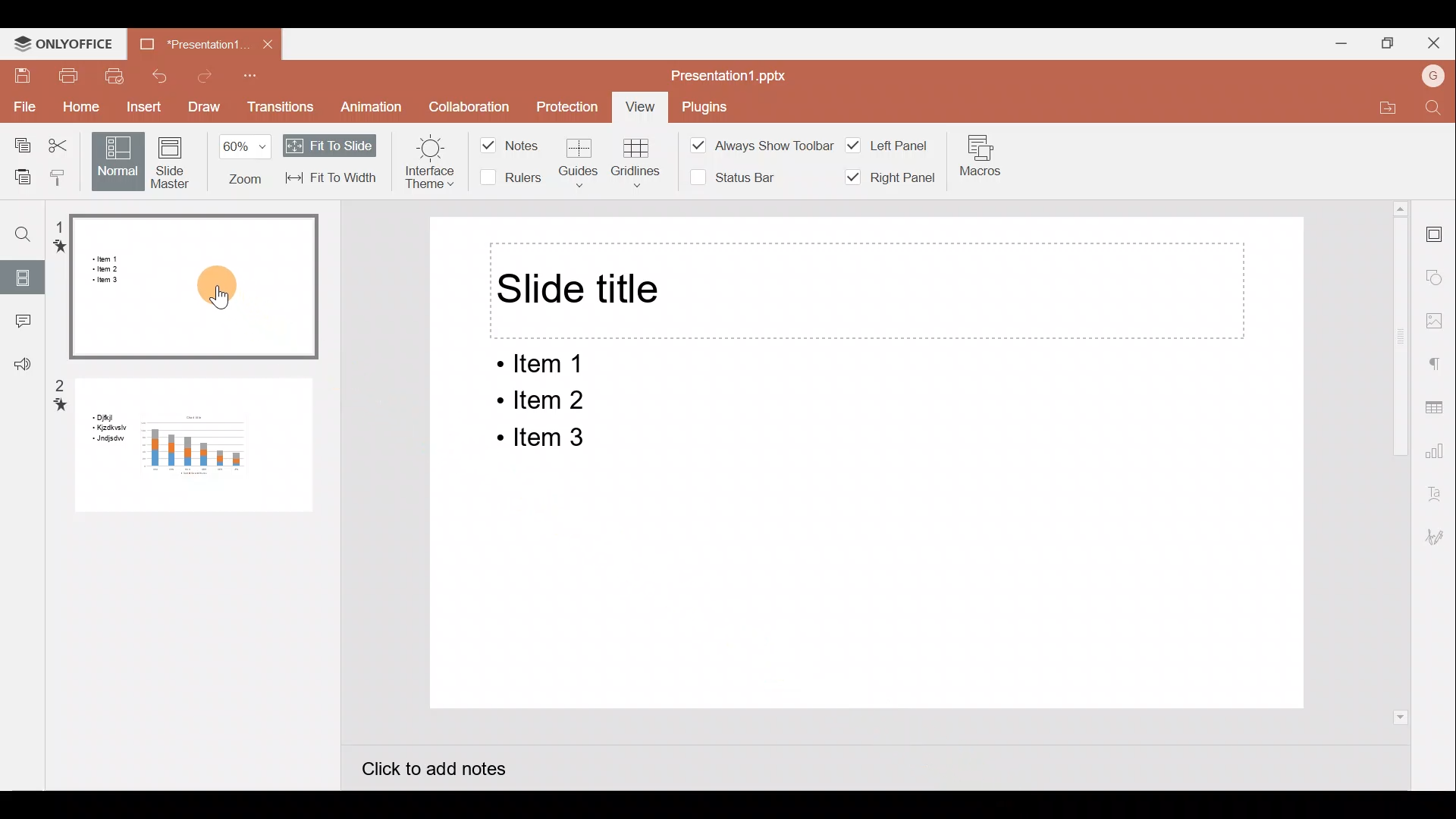 The image size is (1456, 819). Describe the element at coordinates (1428, 77) in the screenshot. I see `Account name` at that location.